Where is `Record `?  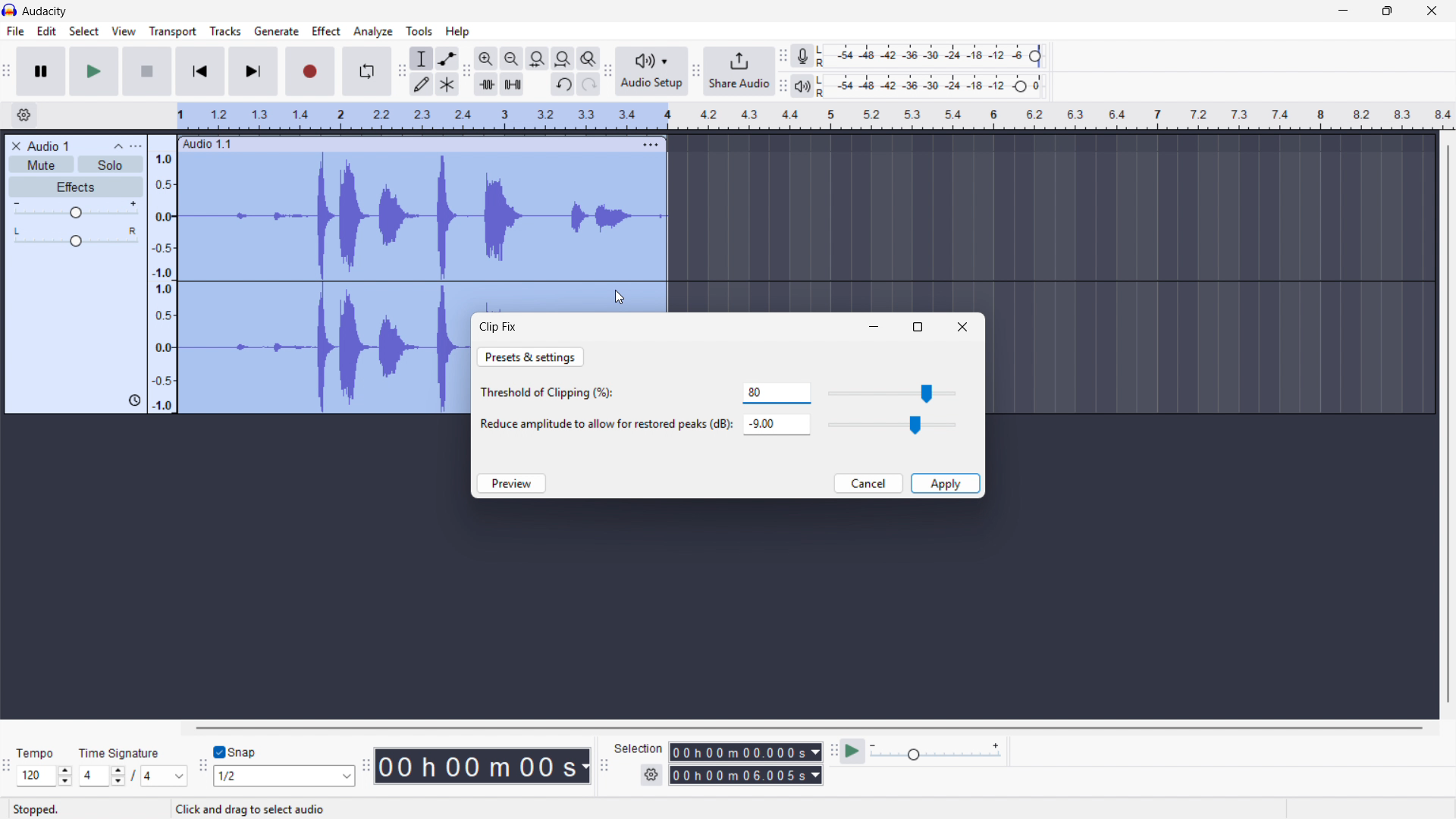 Record  is located at coordinates (311, 71).